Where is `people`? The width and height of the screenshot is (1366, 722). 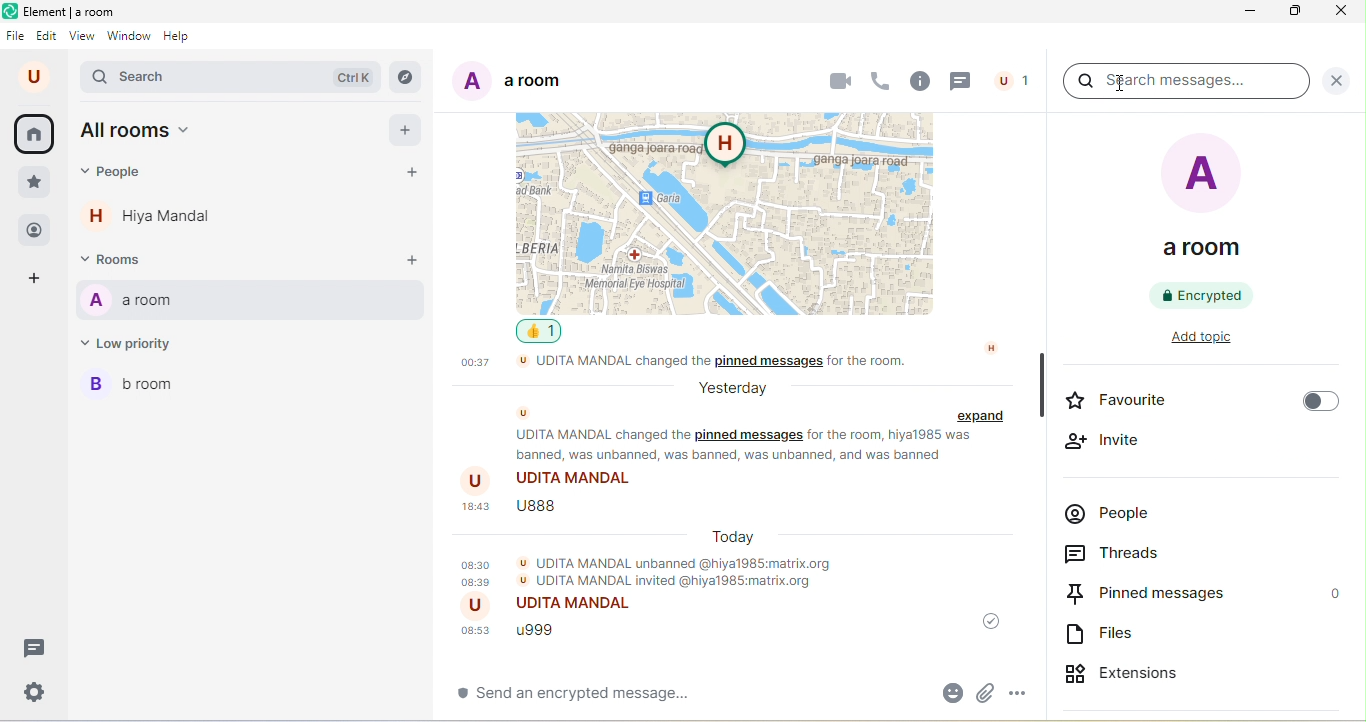
people is located at coordinates (1115, 517).